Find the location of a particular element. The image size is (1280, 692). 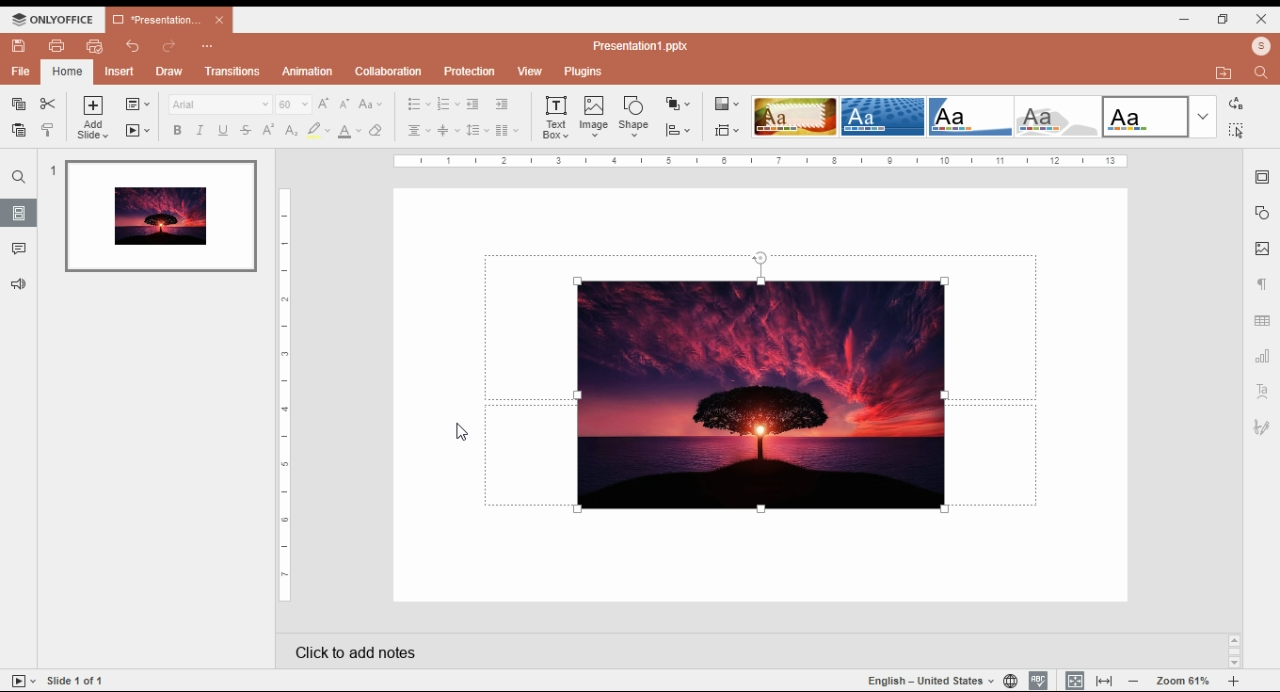

start slideshow is located at coordinates (22, 681).